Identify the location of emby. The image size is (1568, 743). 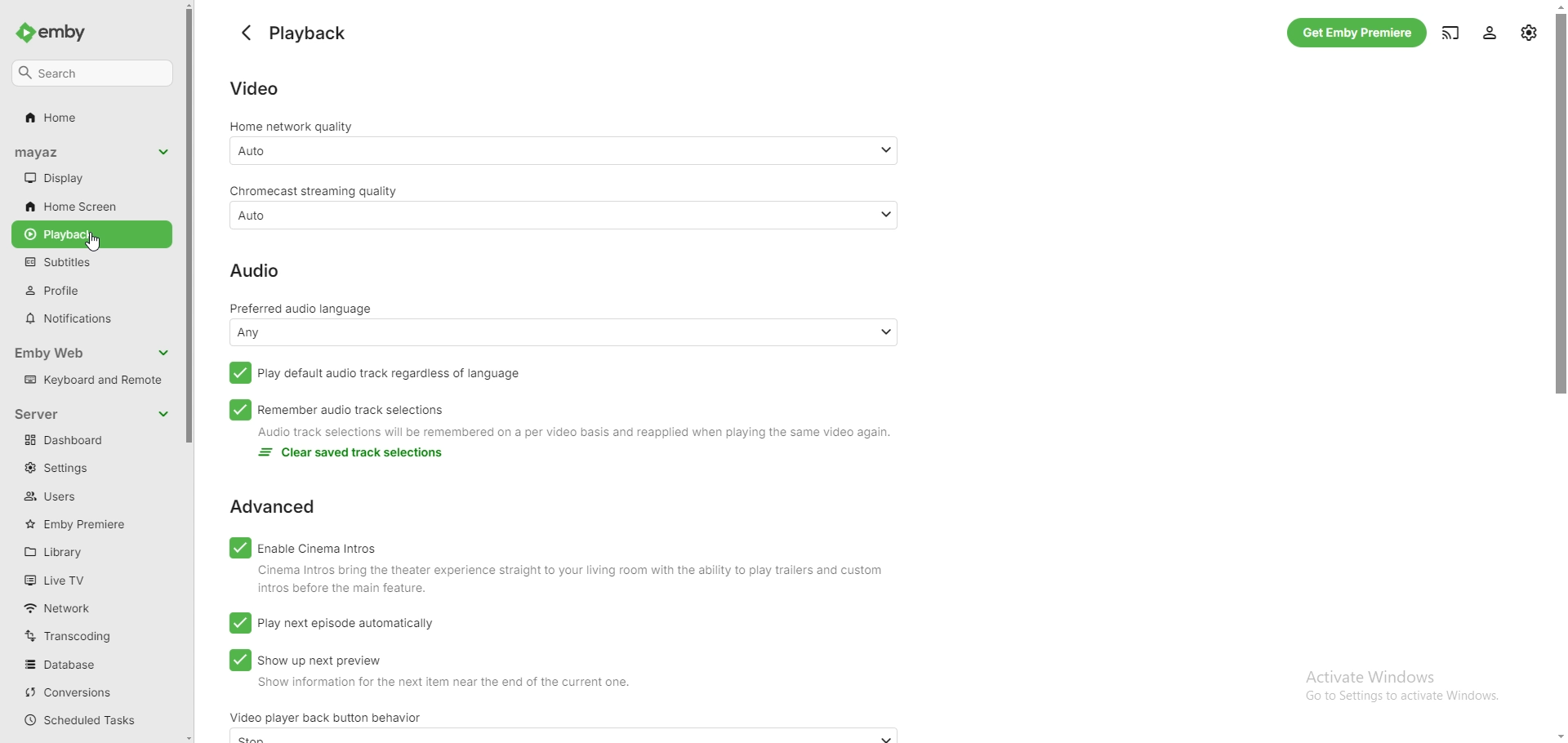
(58, 33).